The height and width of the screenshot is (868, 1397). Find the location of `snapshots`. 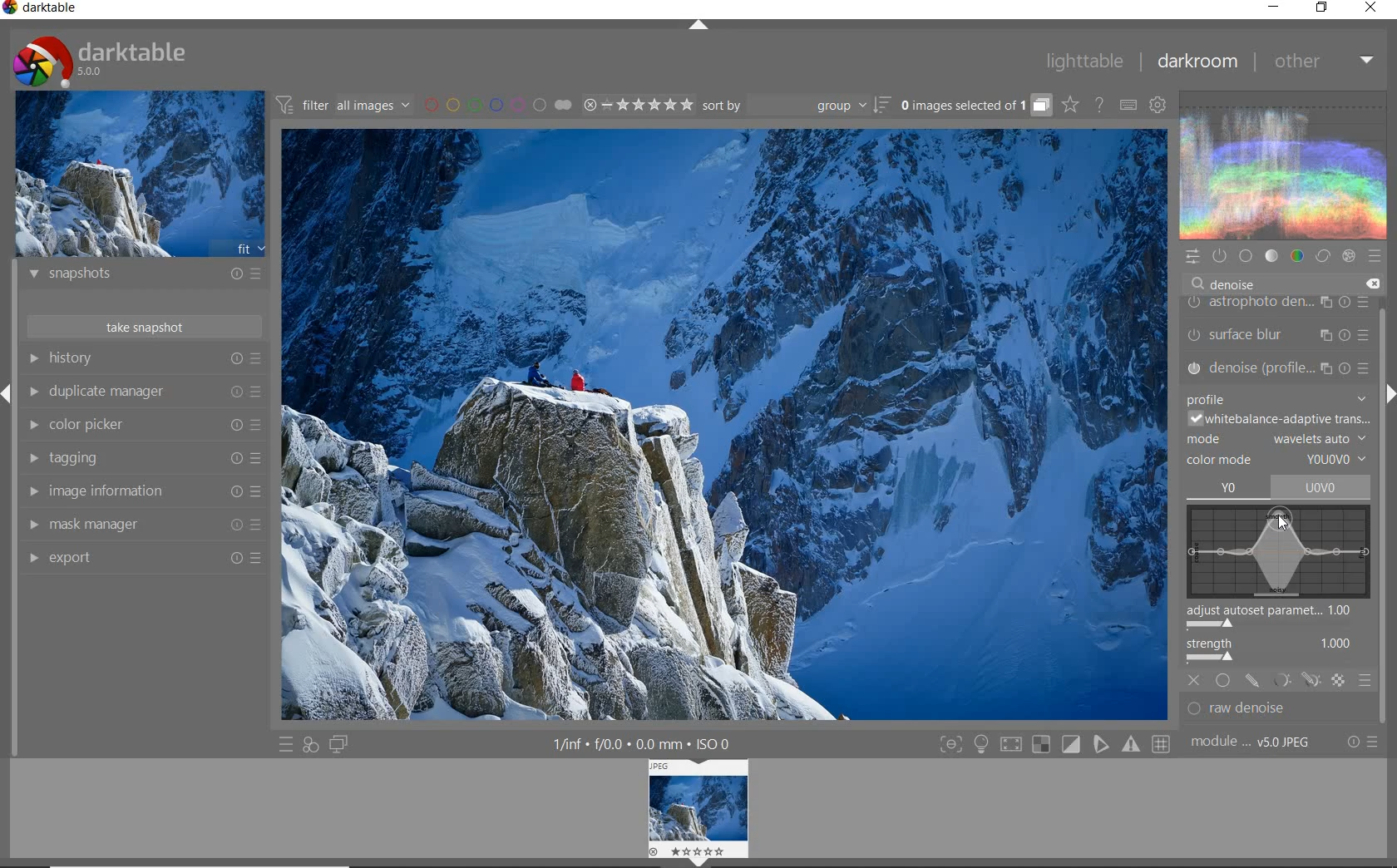

snapshots is located at coordinates (146, 276).